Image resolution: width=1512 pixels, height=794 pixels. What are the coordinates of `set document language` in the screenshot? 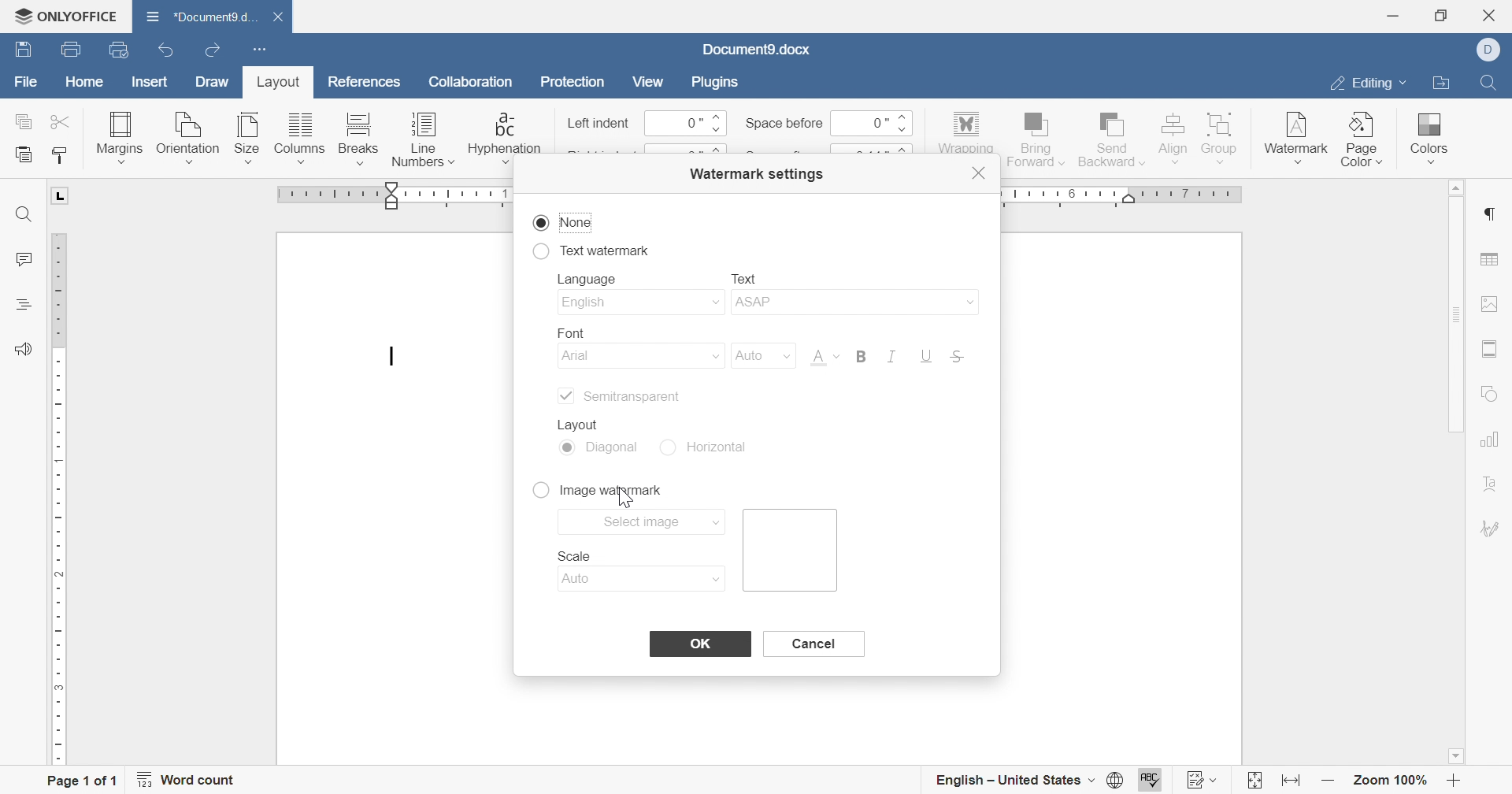 It's located at (1121, 780).